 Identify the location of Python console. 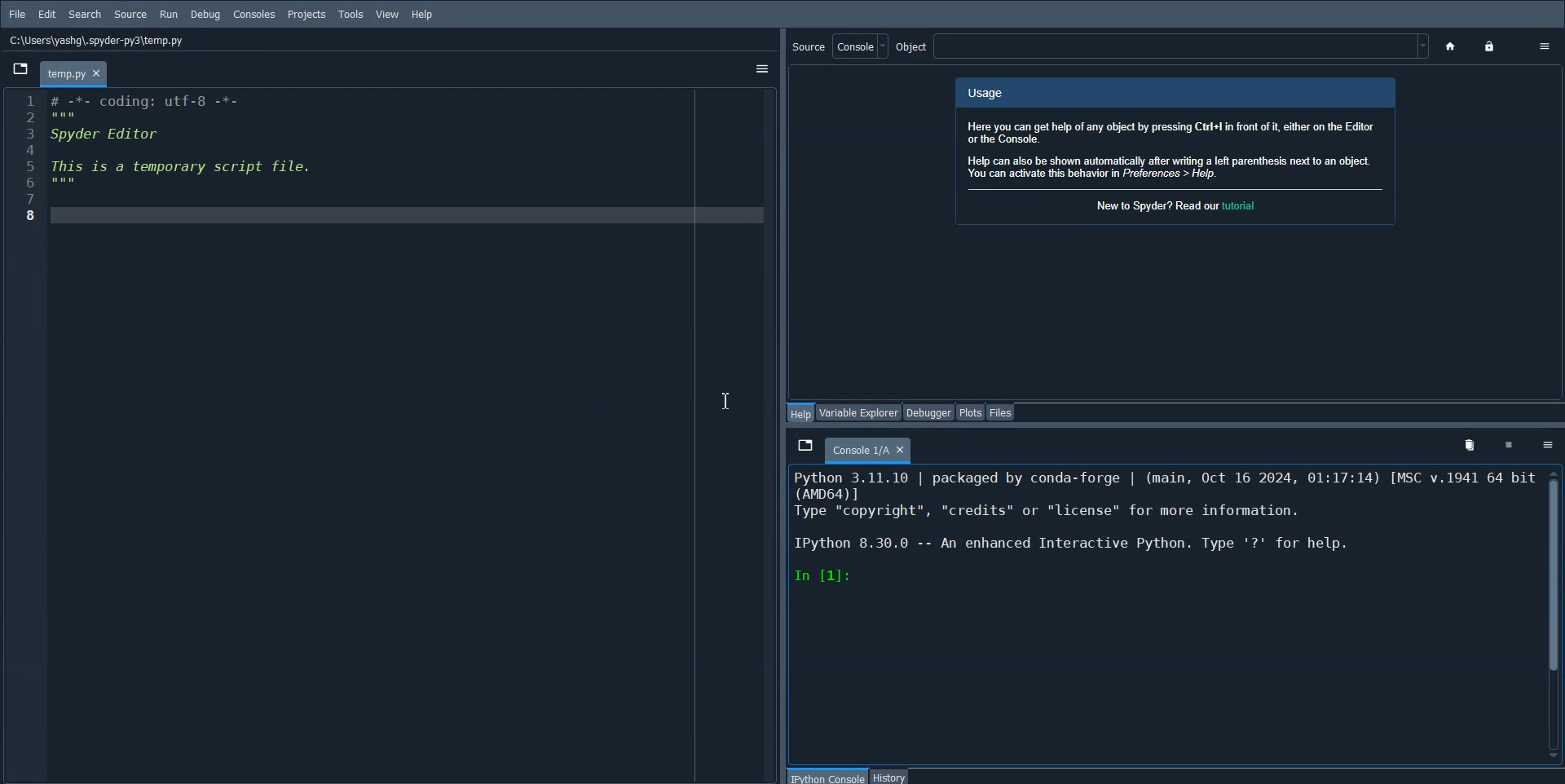
(828, 776).